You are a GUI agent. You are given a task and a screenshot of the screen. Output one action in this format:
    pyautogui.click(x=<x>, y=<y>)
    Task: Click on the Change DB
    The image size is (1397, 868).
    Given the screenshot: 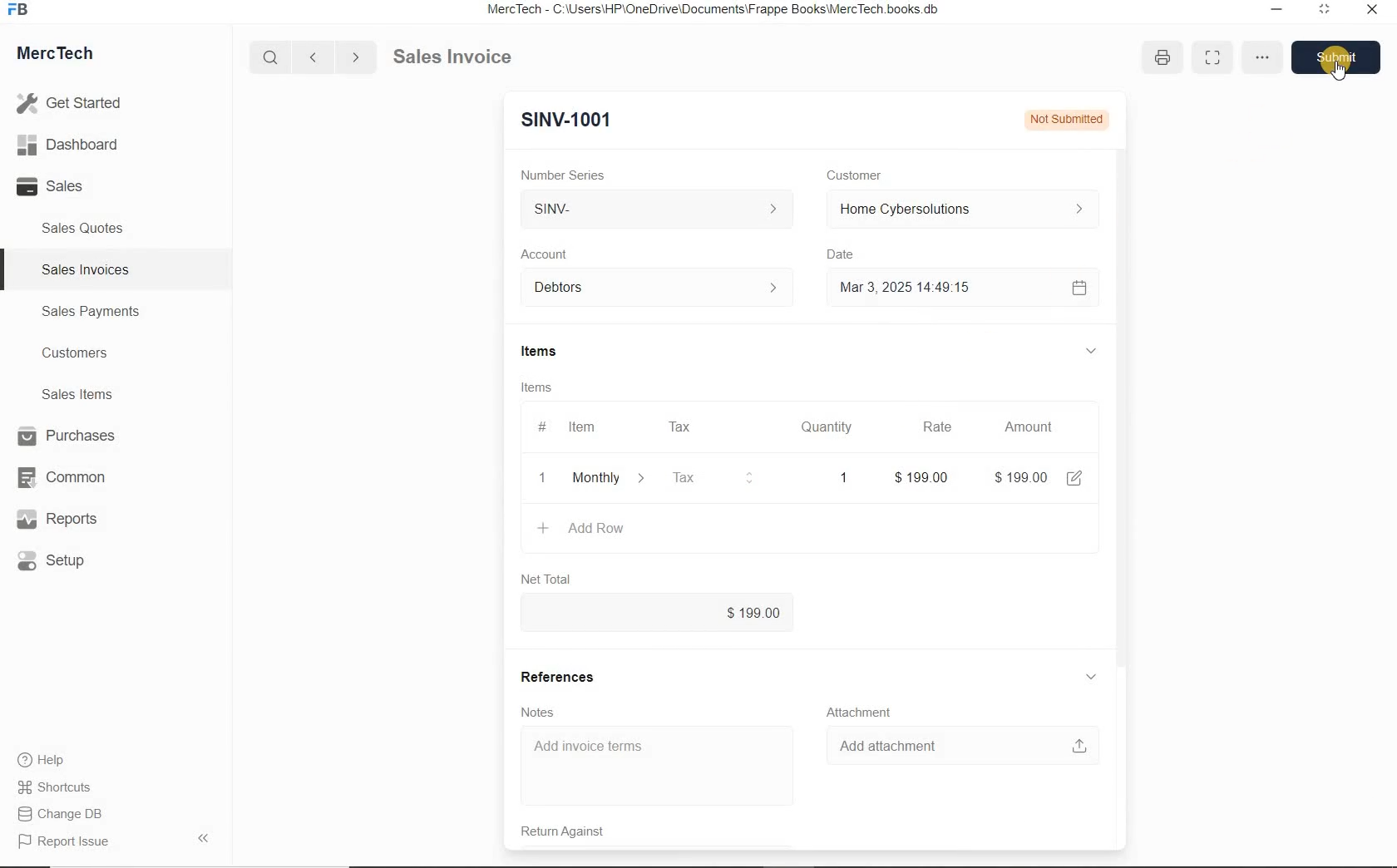 What is the action you would take?
    pyautogui.click(x=62, y=814)
    